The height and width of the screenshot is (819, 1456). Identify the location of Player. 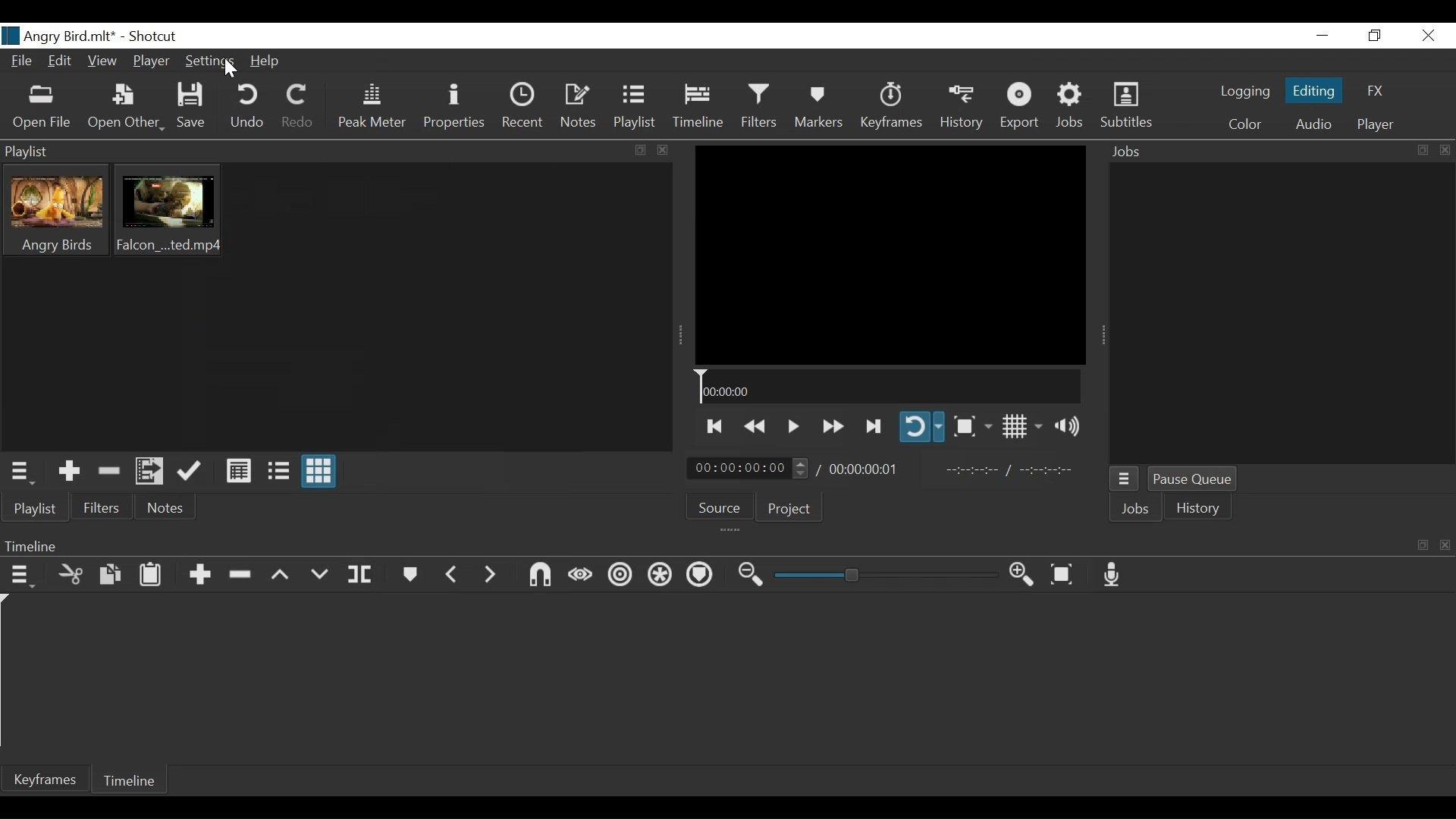
(1376, 125).